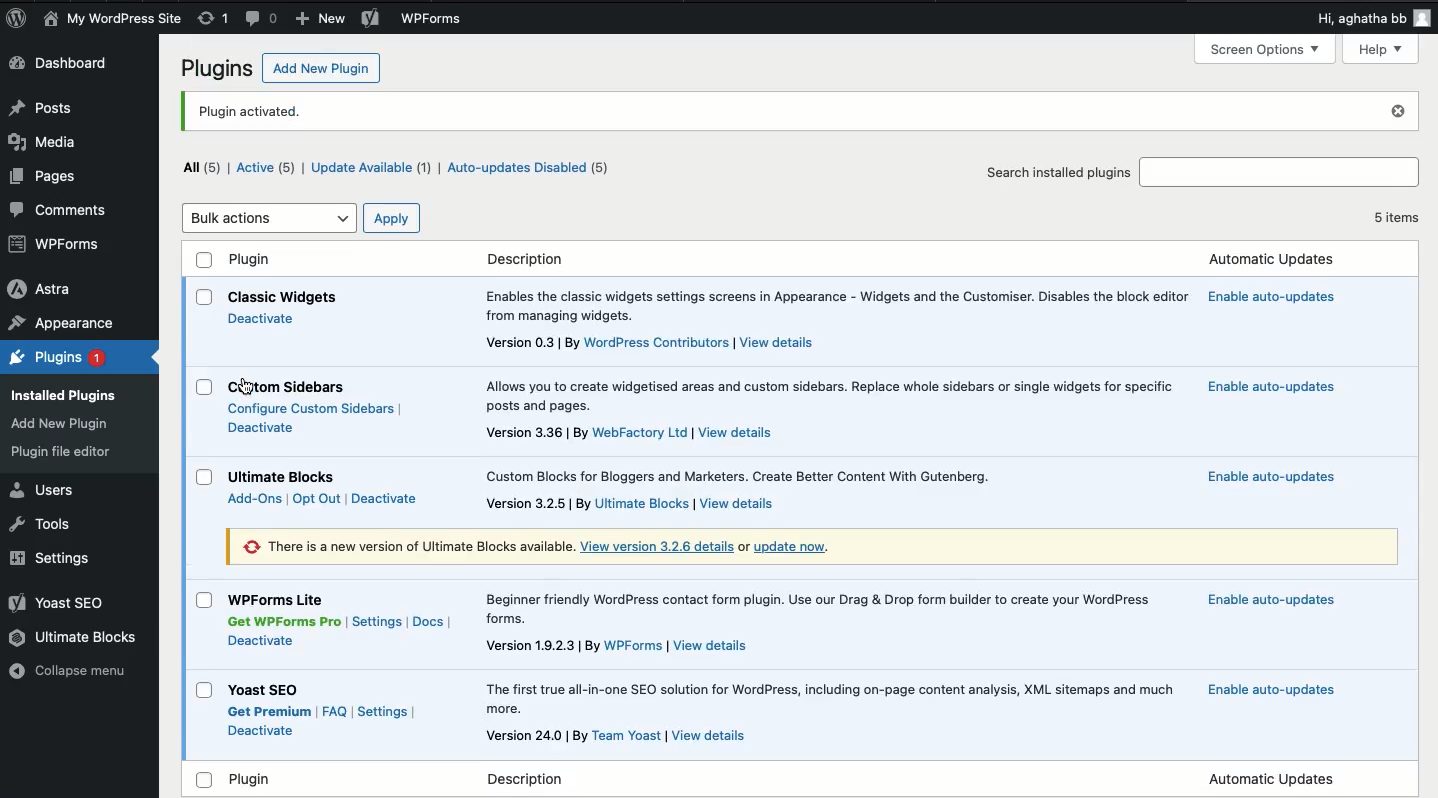  Describe the element at coordinates (1275, 388) in the screenshot. I see `Automatic updates` at that location.